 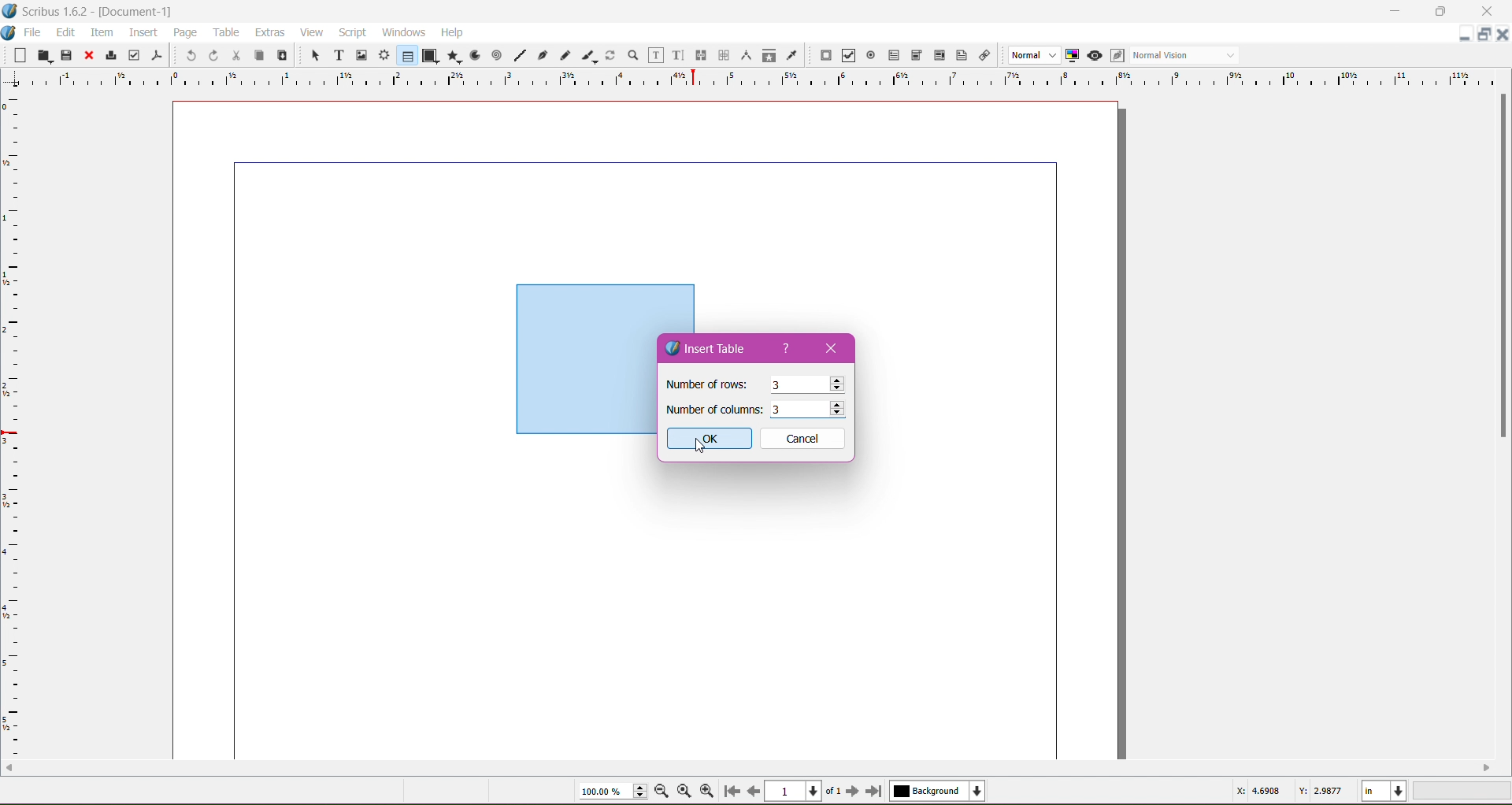 I want to click on Link Annotation, so click(x=982, y=54).